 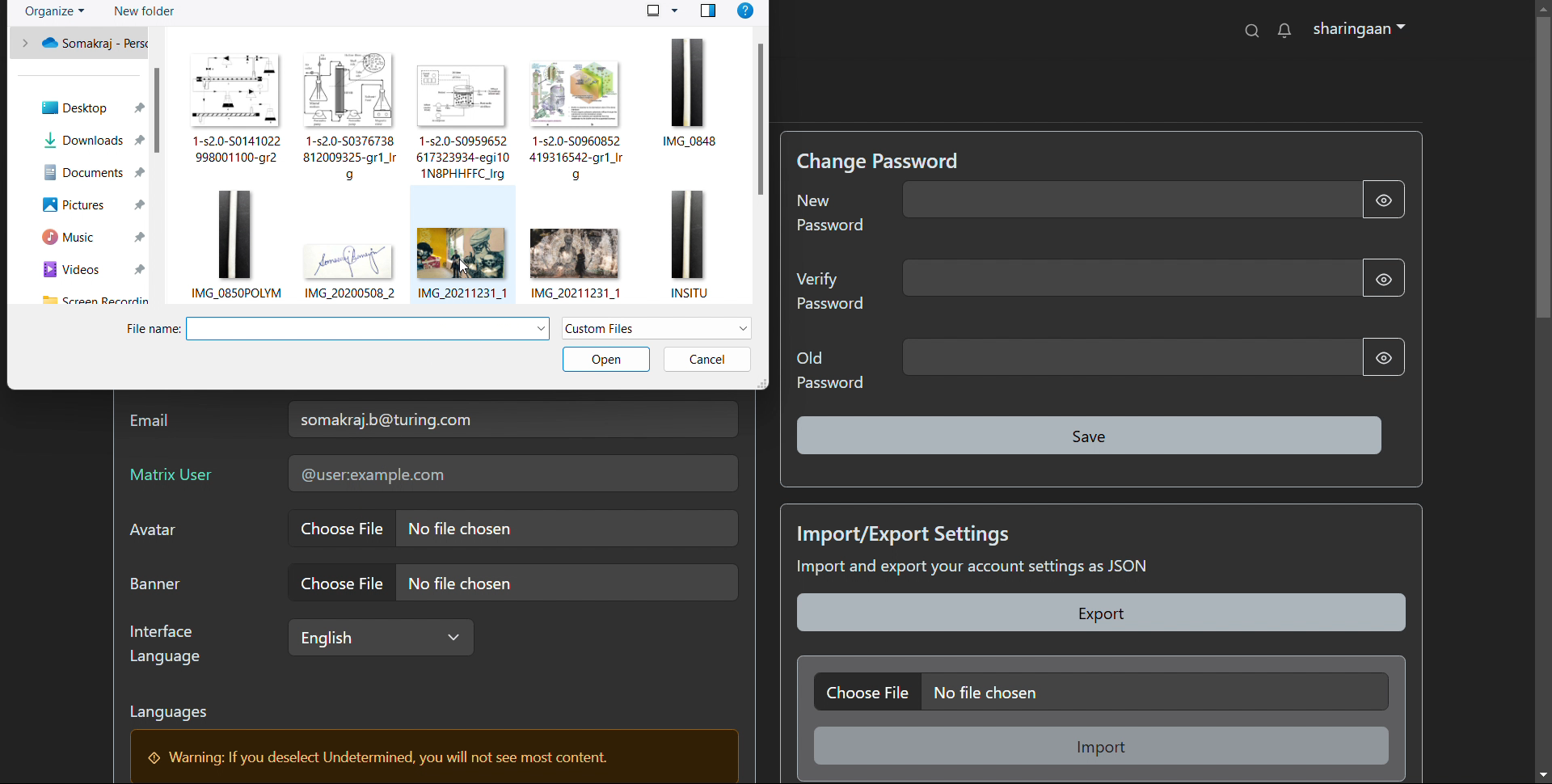 I want to click on Music, so click(x=92, y=238).